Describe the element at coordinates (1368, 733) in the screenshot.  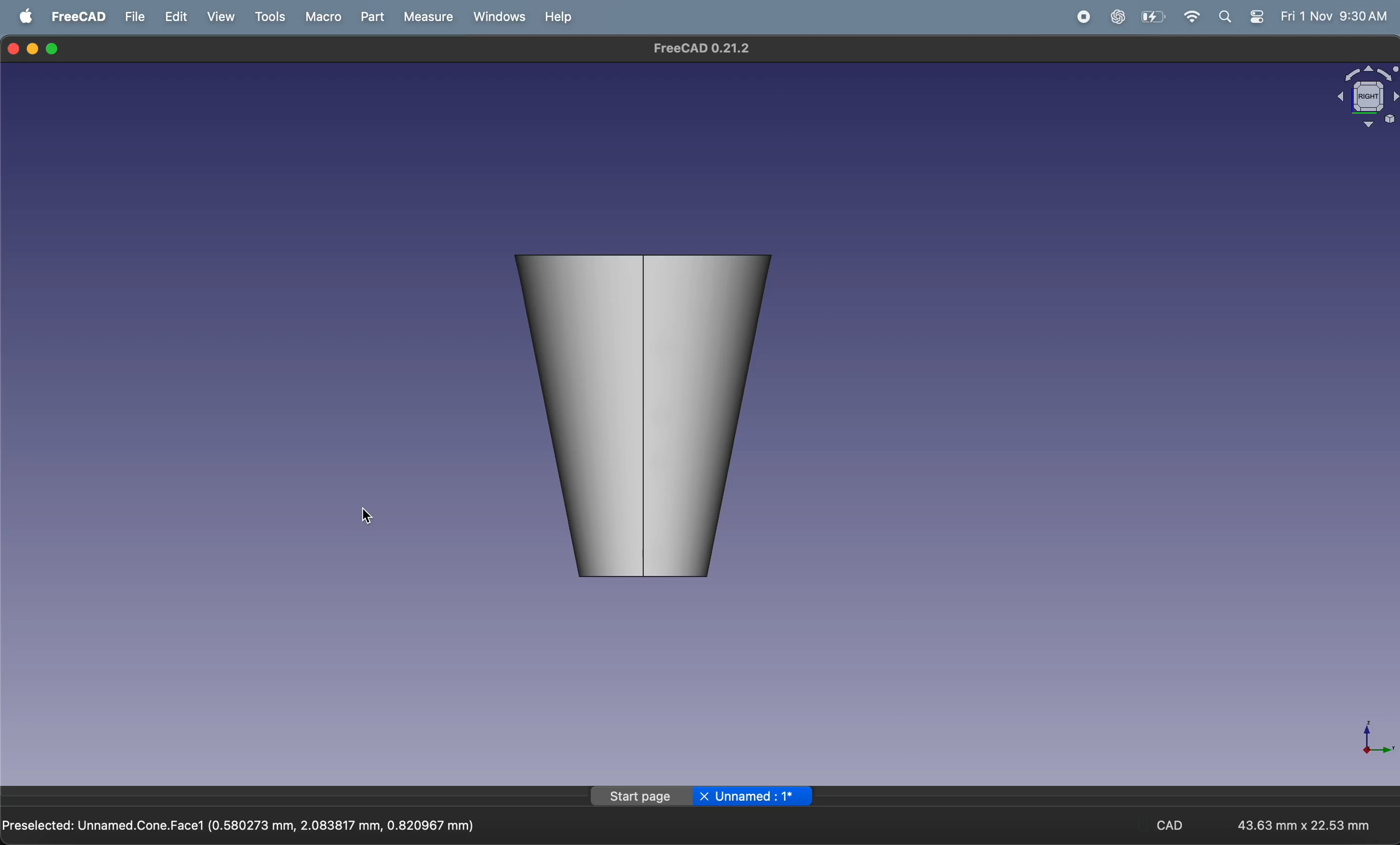
I see `Axis` at that location.